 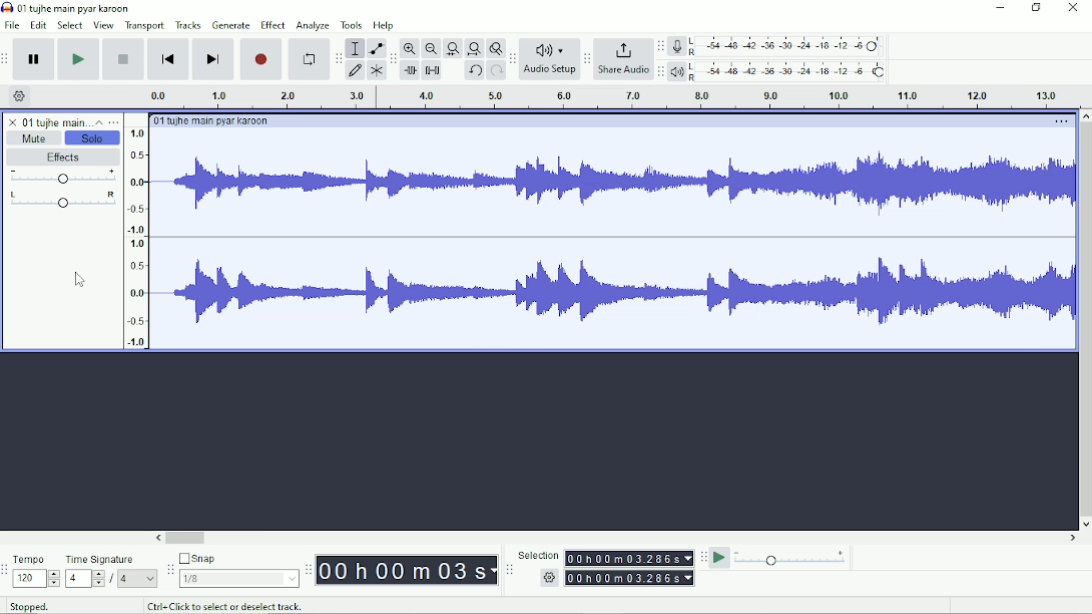 What do you see at coordinates (136, 233) in the screenshot?
I see `` at bounding box center [136, 233].